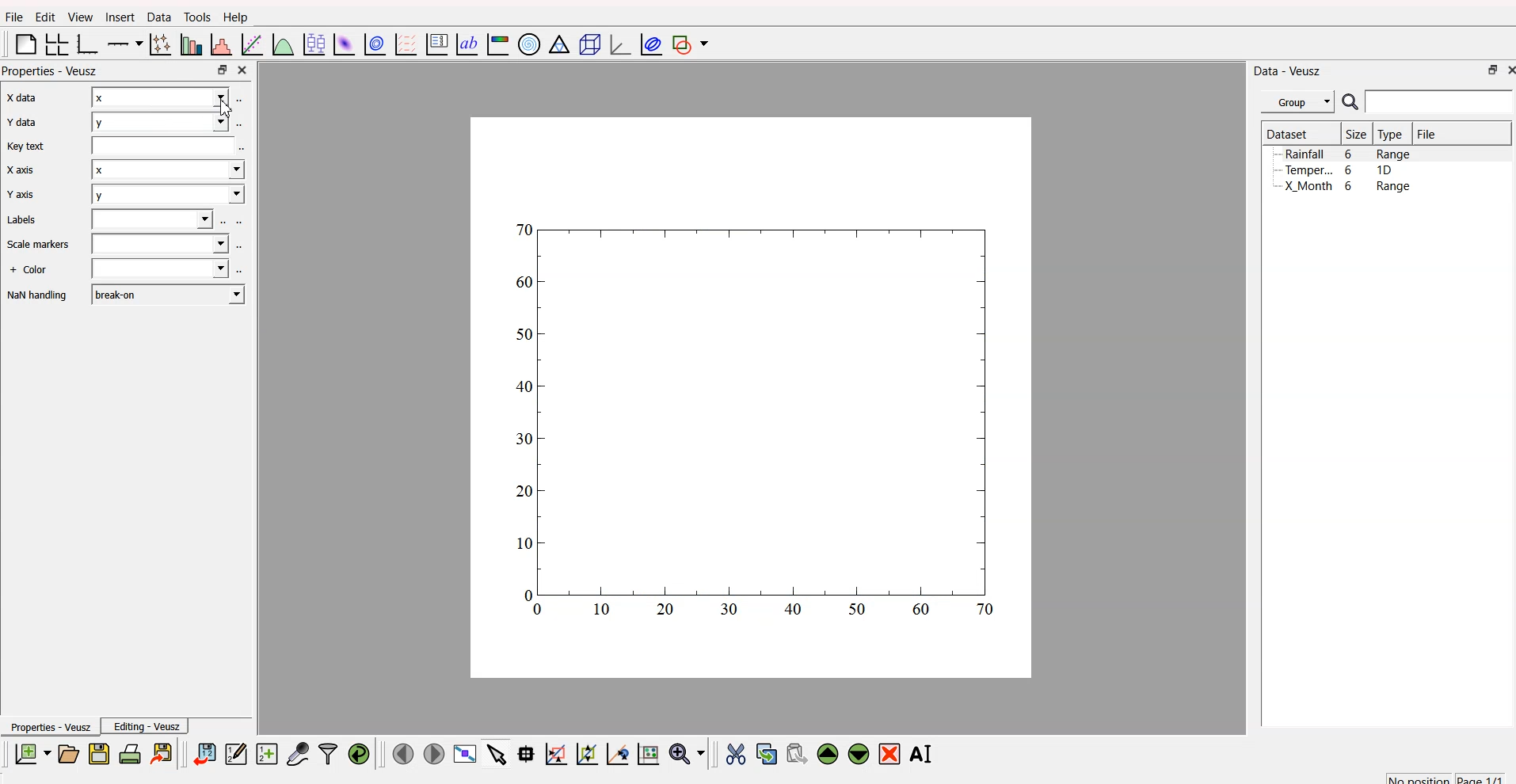 This screenshot has height=784, width=1516. Describe the element at coordinates (796, 753) in the screenshot. I see `paste the widget from the clipboard` at that location.